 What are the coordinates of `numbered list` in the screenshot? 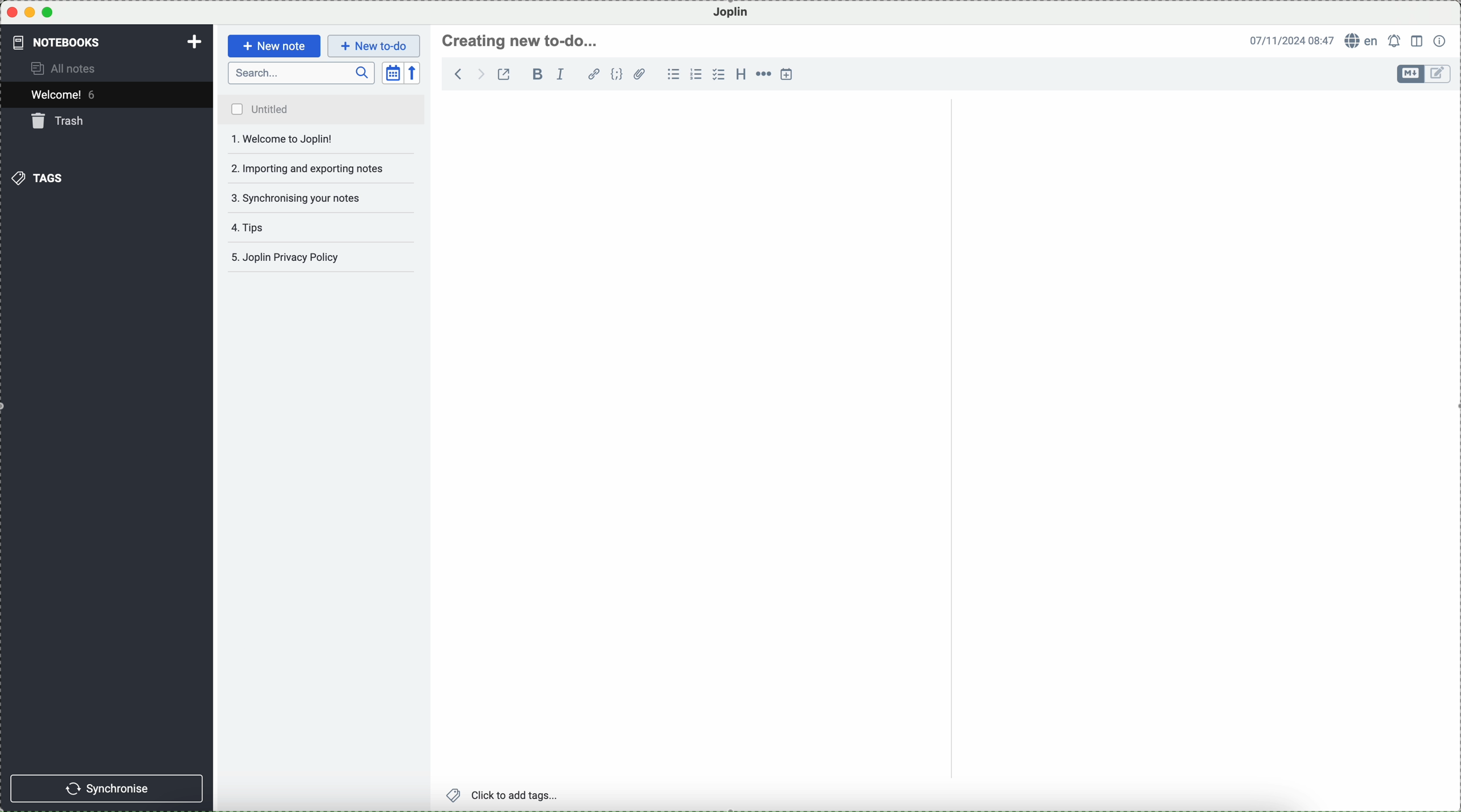 It's located at (696, 74).